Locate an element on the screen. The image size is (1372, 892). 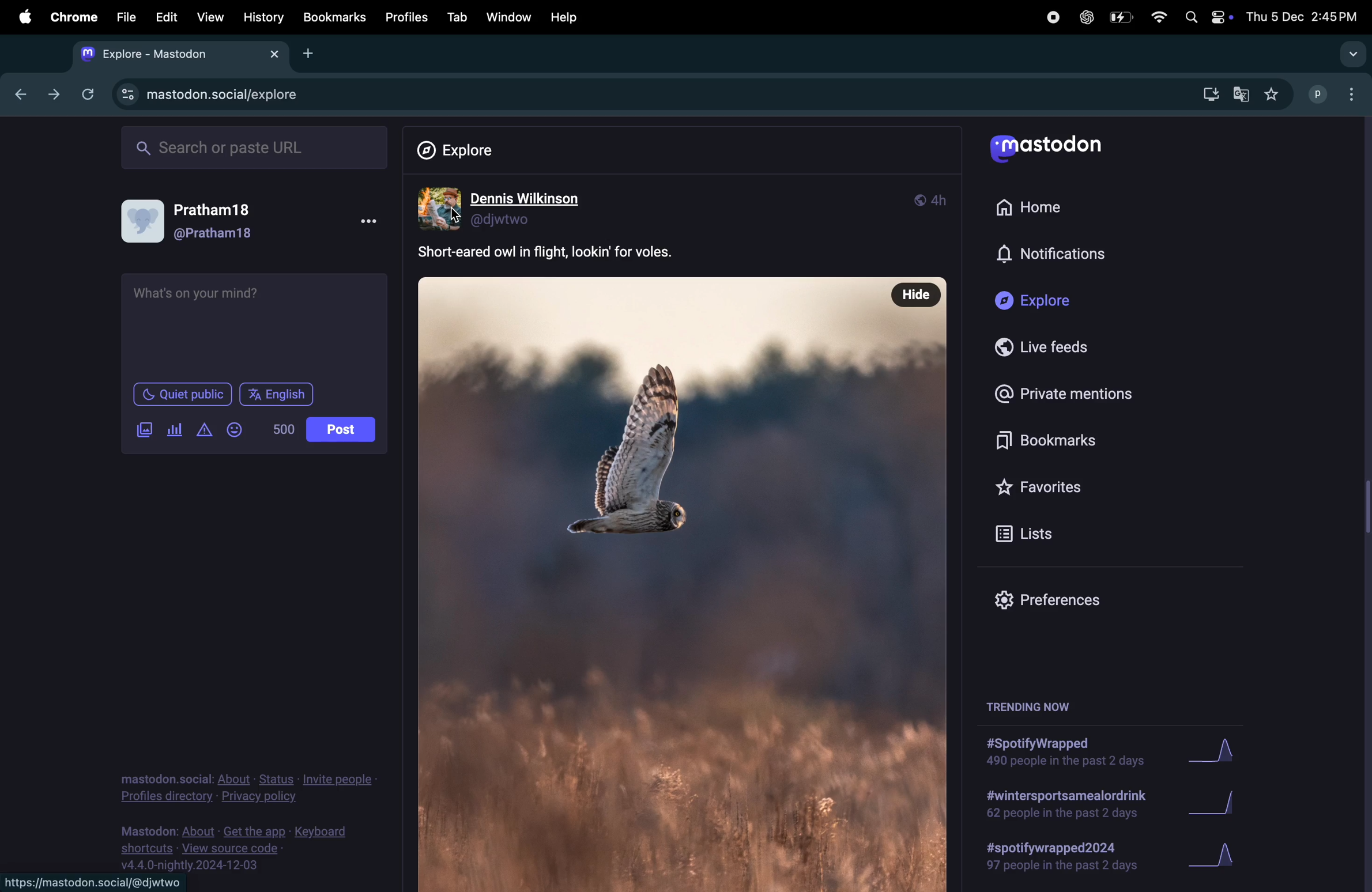
alert is located at coordinates (203, 432).